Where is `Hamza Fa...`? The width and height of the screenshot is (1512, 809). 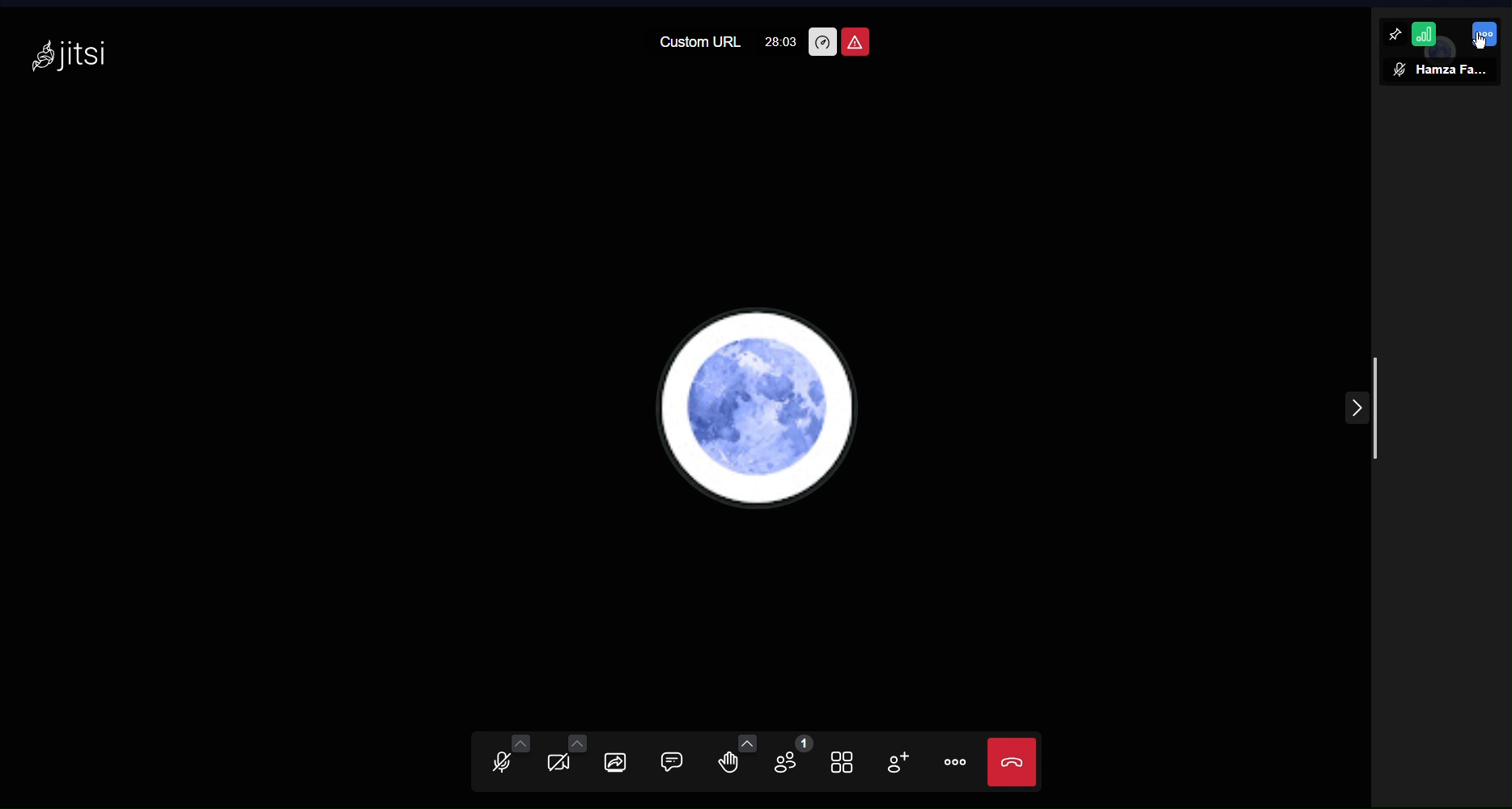
Hamza Fa... is located at coordinates (1453, 71).